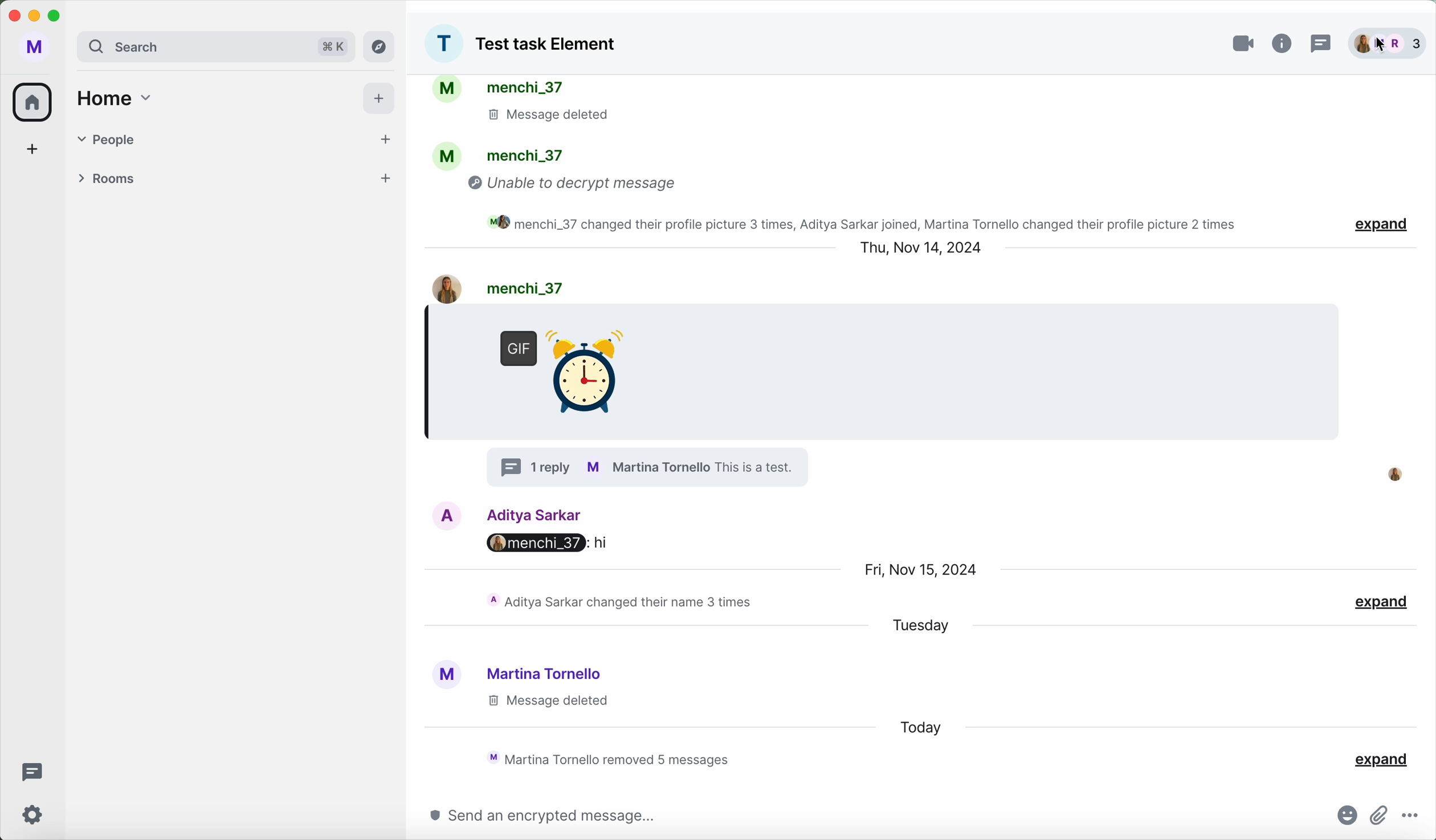  What do you see at coordinates (537, 513) in the screenshot?
I see `Aditya user` at bounding box center [537, 513].